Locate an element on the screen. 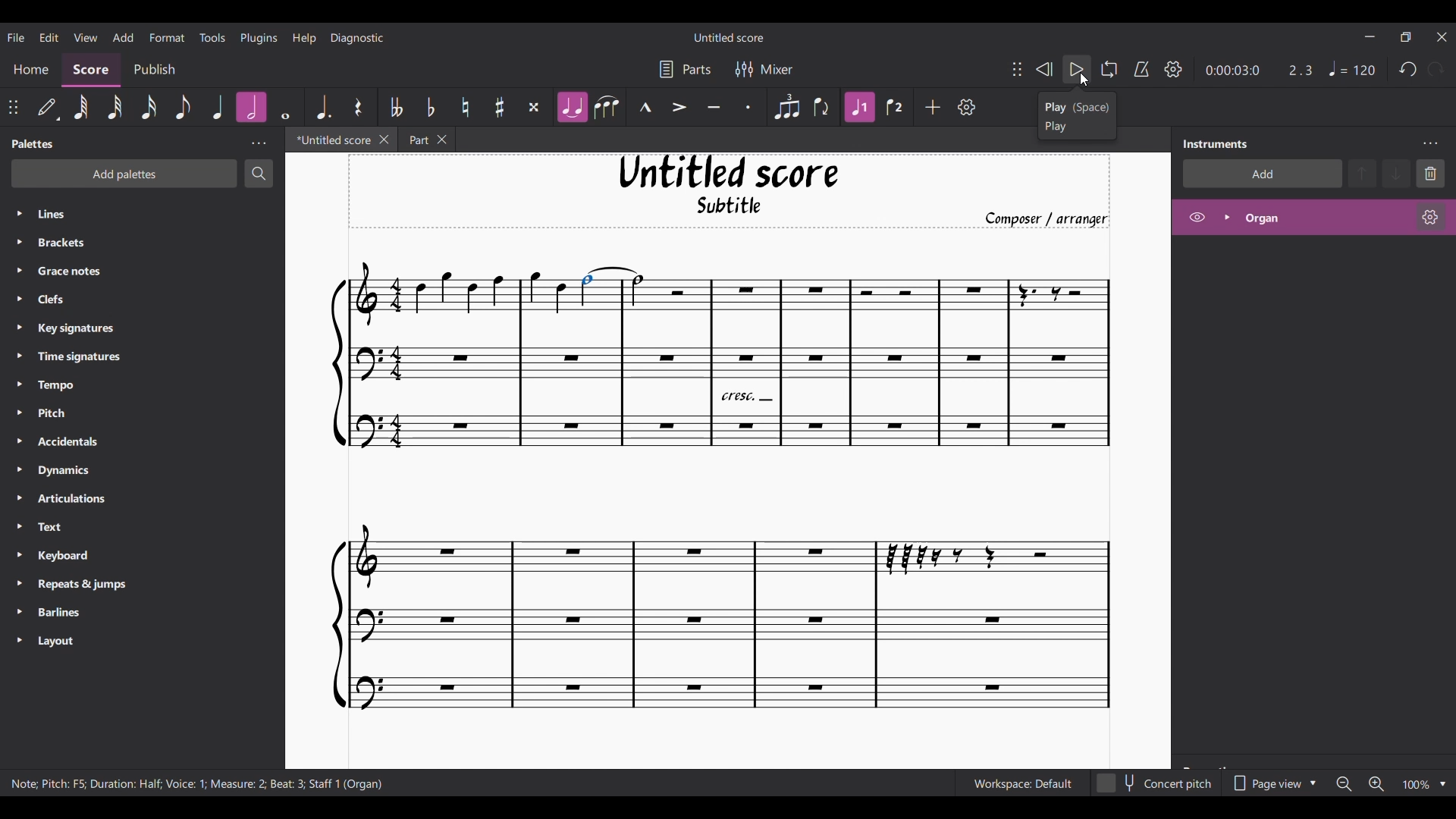 The width and height of the screenshot is (1456, 819). 16th note is located at coordinates (149, 107).